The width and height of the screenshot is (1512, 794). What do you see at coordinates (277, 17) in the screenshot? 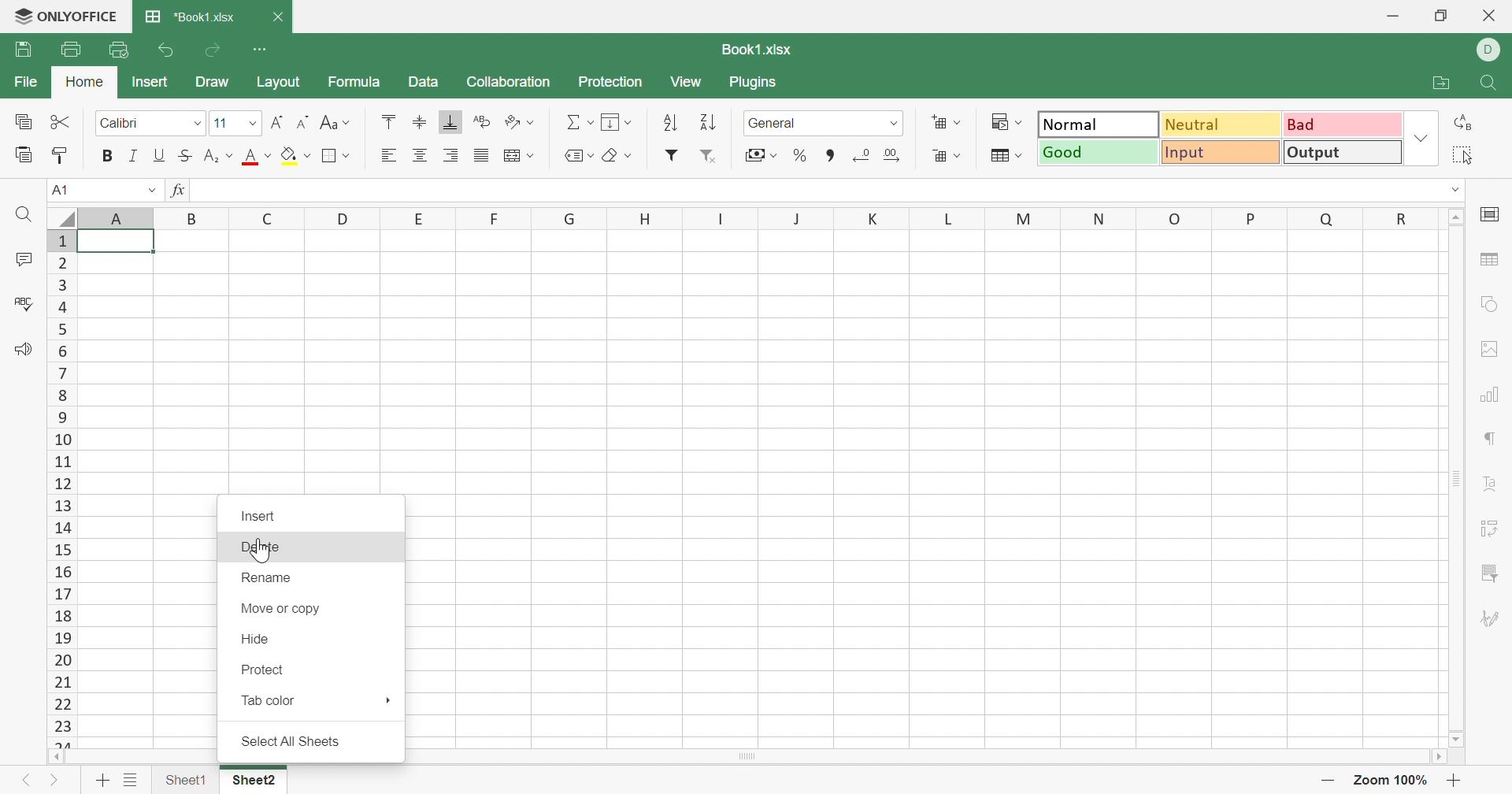
I see `Close` at bounding box center [277, 17].